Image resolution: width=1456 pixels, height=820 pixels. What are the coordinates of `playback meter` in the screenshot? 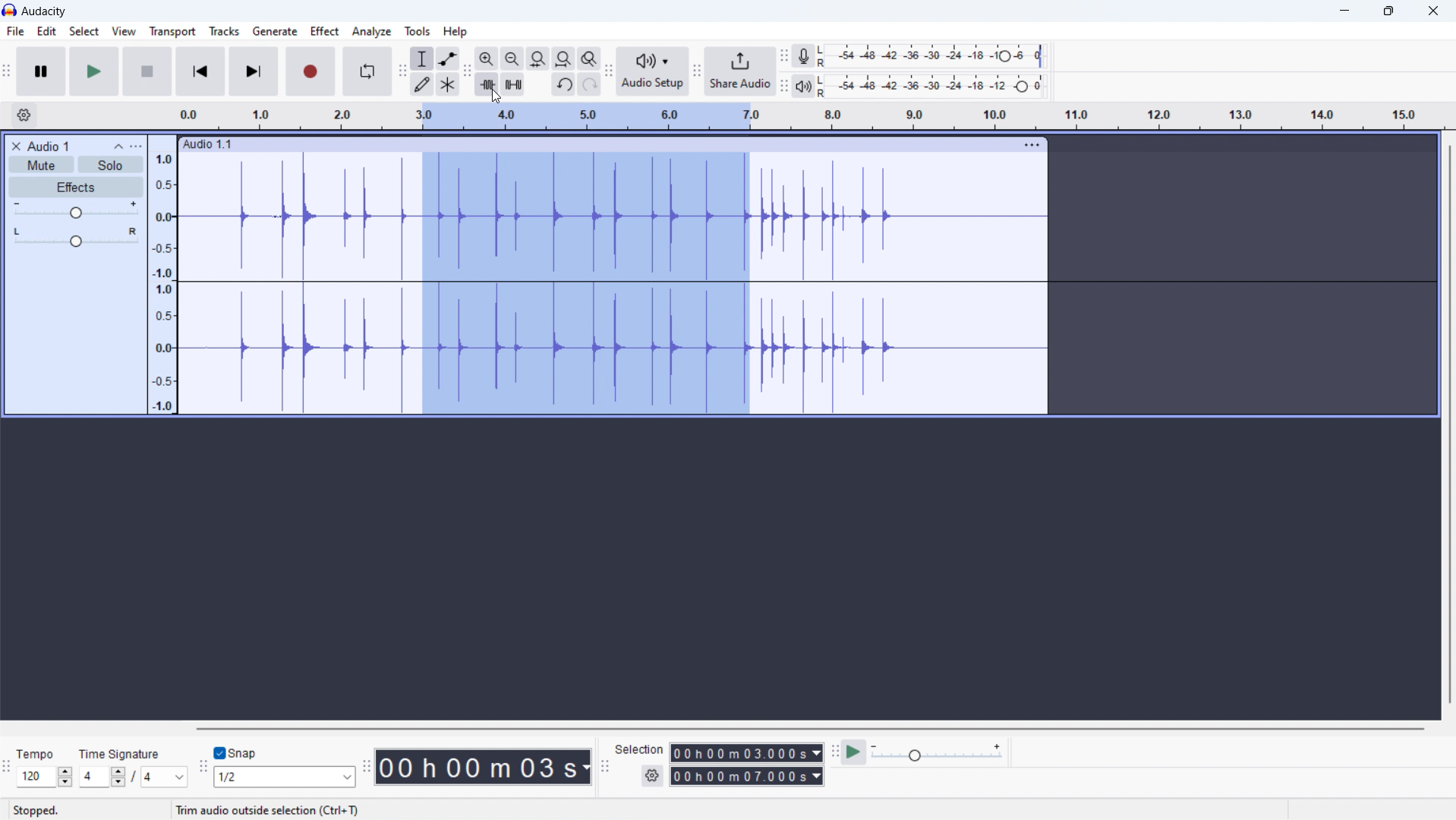 It's located at (807, 87).